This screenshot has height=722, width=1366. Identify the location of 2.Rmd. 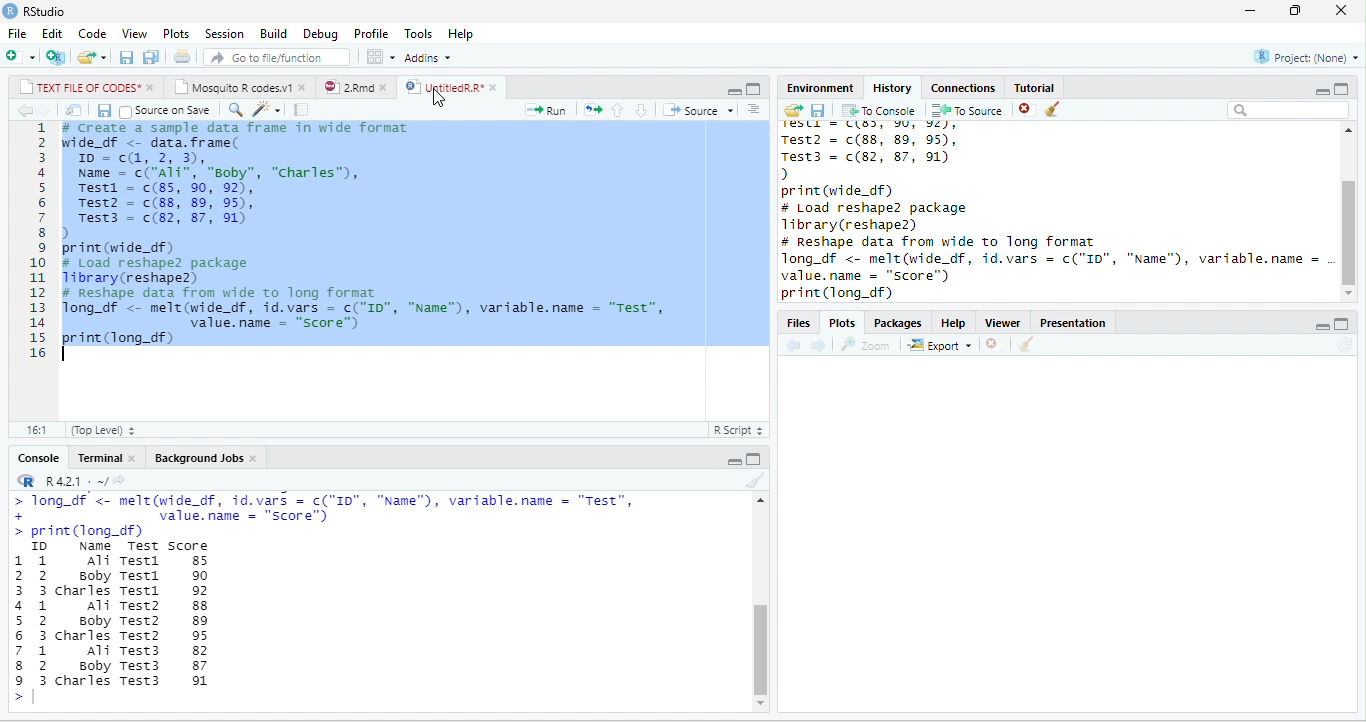
(348, 87).